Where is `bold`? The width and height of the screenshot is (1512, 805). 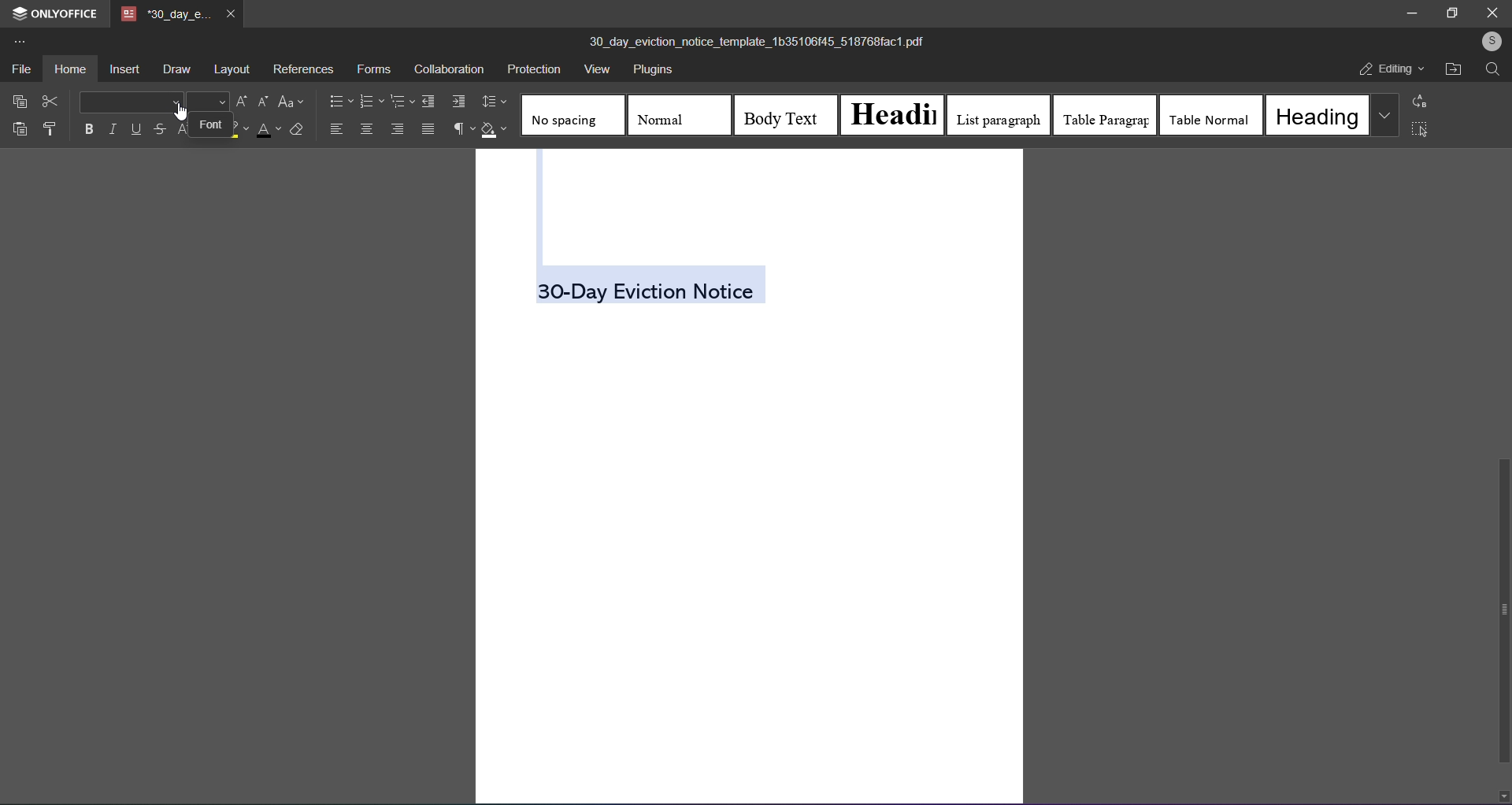
bold is located at coordinates (88, 129).